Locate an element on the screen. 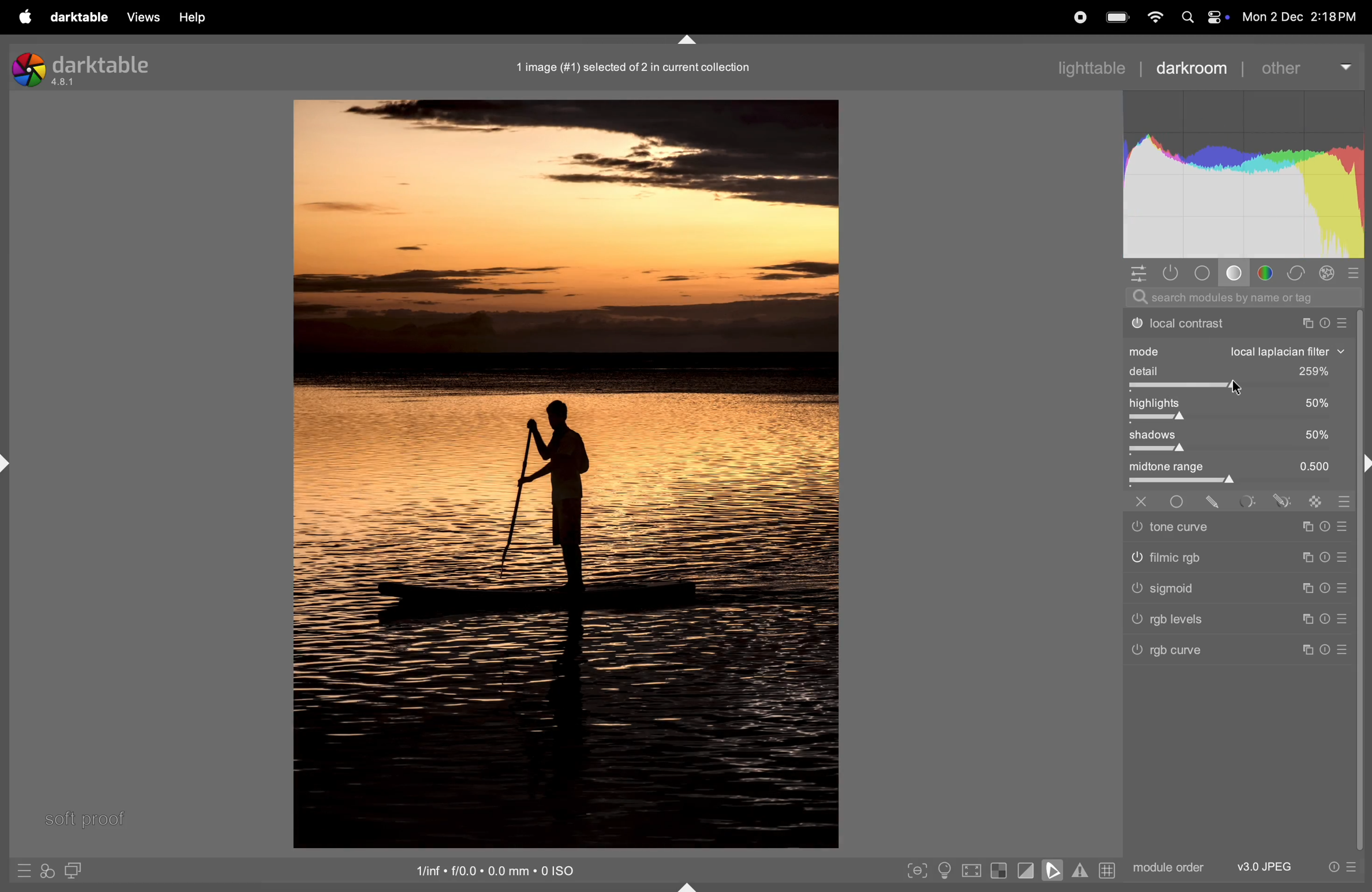 This screenshot has height=892, width=1372. Darktable is located at coordinates (87, 68).